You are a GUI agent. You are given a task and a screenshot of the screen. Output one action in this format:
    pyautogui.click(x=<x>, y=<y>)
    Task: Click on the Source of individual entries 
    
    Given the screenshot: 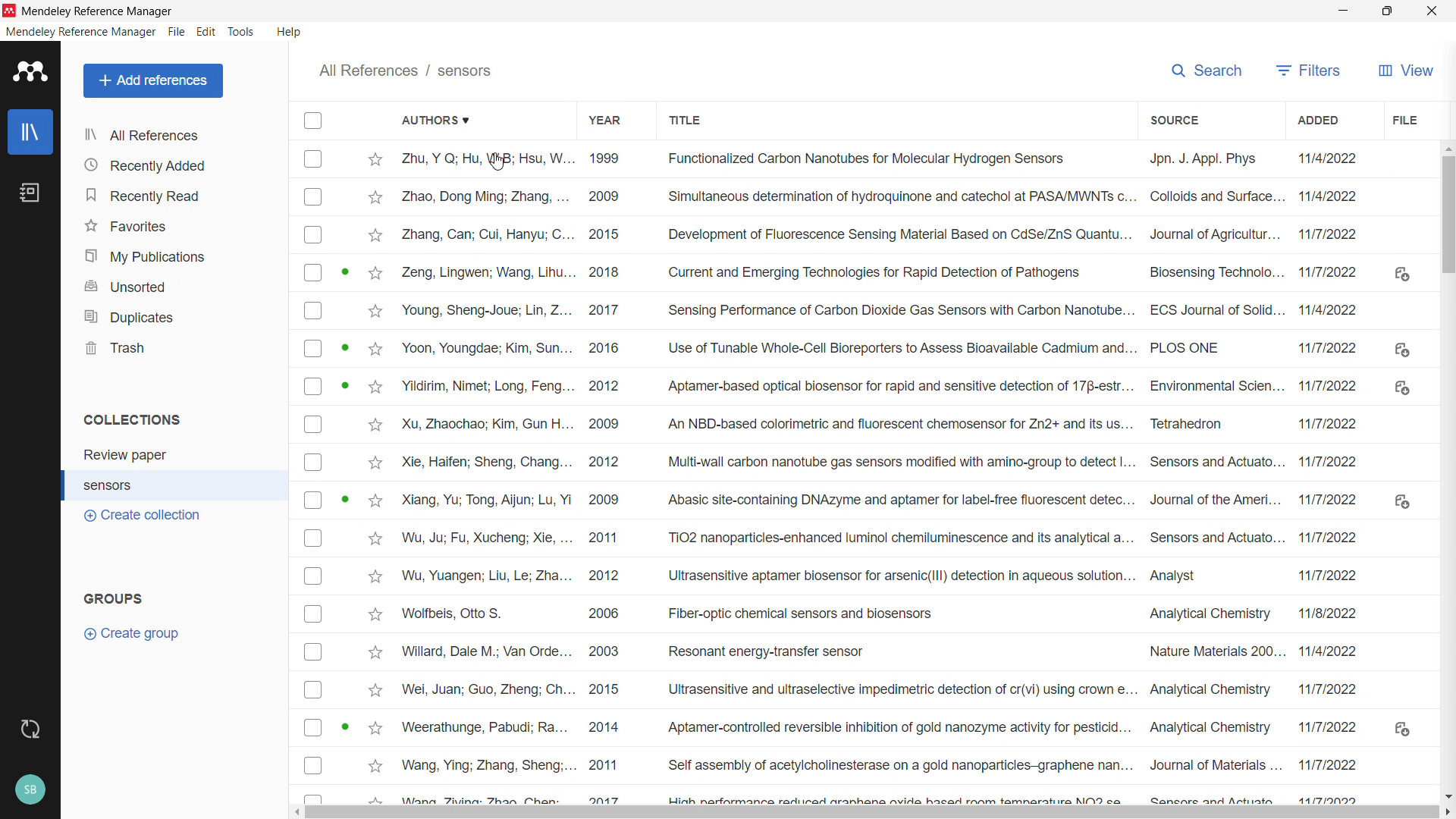 What is the action you would take?
    pyautogui.click(x=1214, y=475)
    